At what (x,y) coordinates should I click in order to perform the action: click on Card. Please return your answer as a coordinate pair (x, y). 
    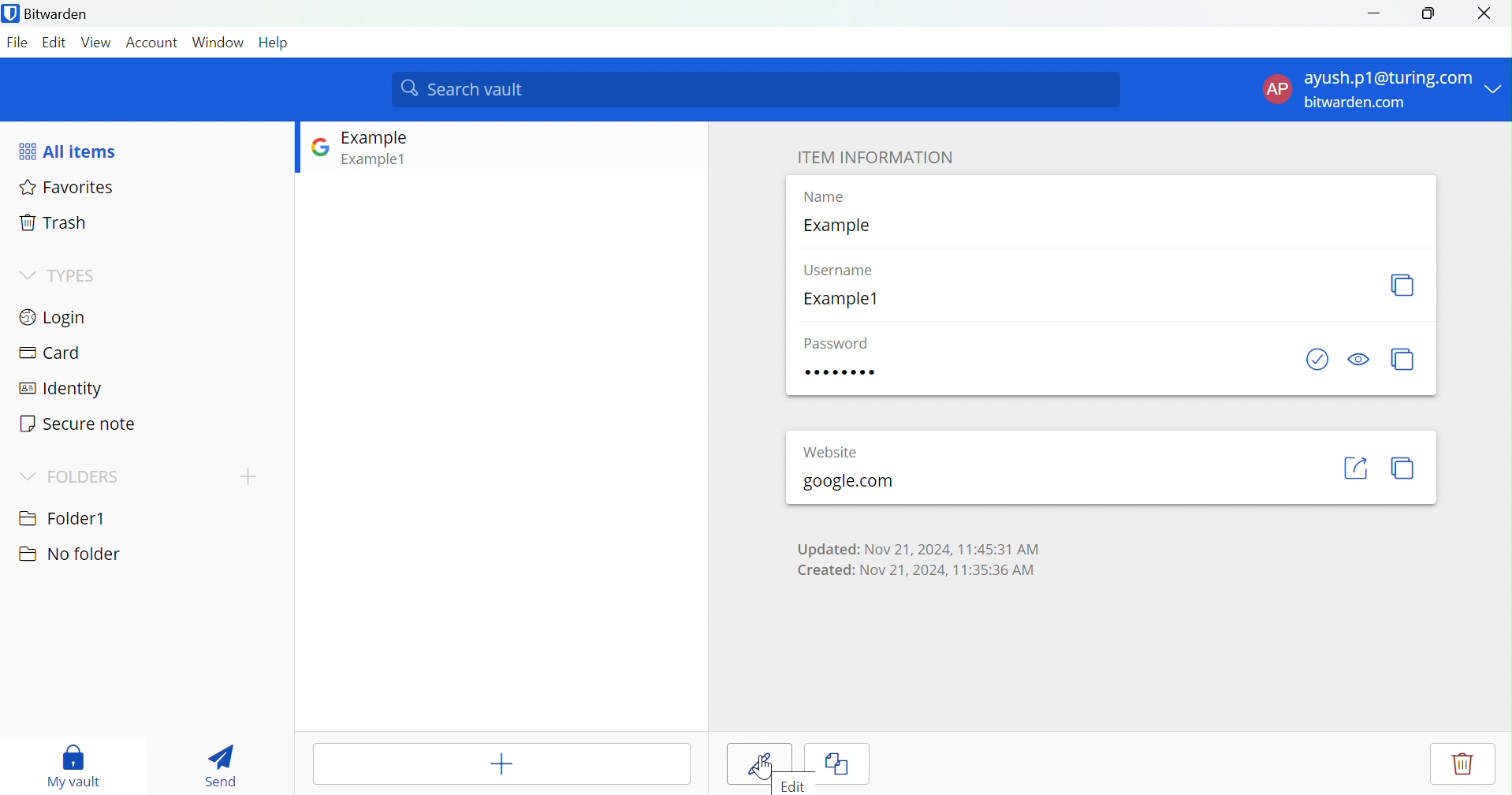
    Looking at the image, I should click on (50, 353).